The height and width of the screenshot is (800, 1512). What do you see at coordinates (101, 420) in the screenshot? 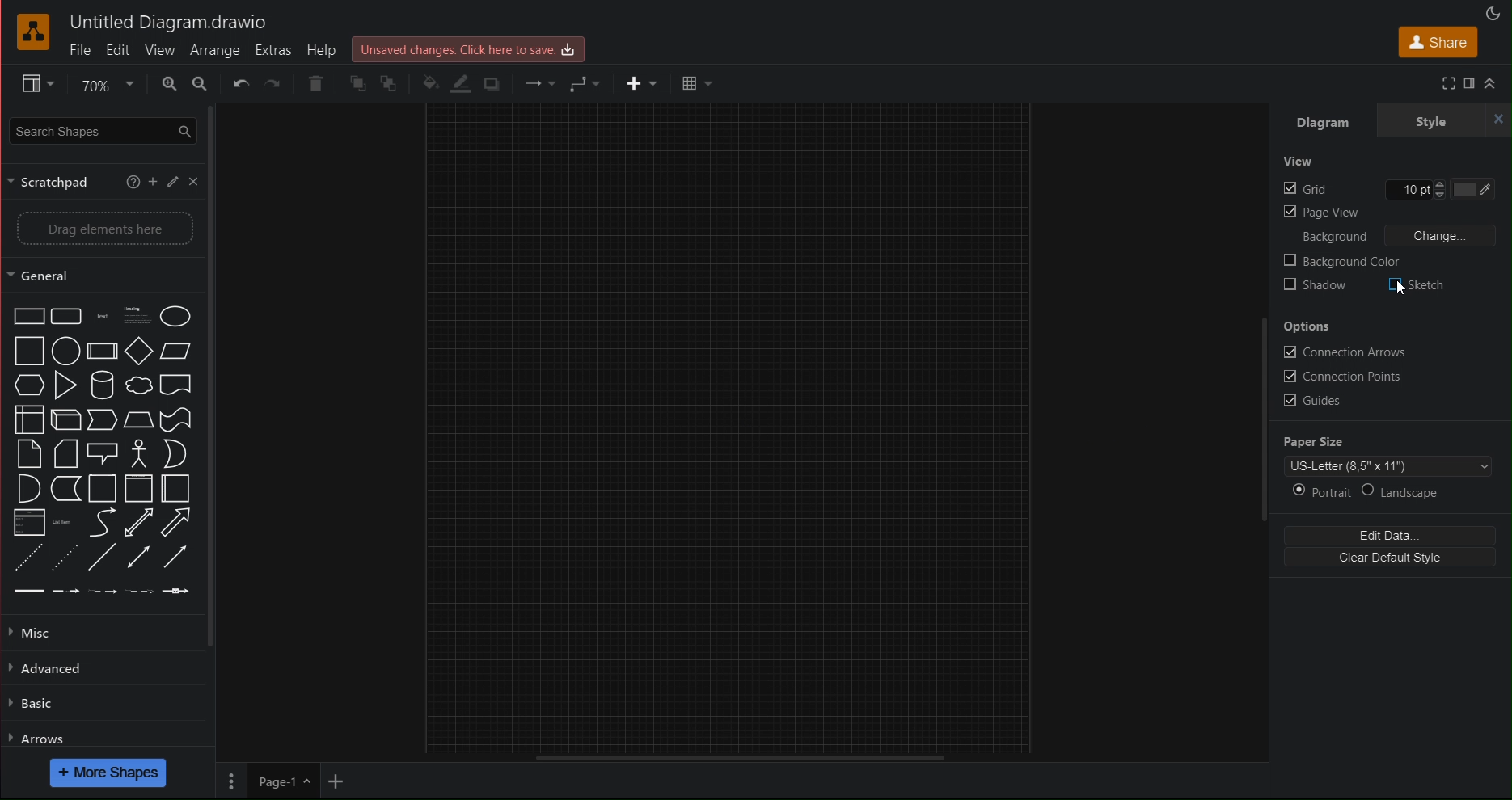
I see `step` at bounding box center [101, 420].